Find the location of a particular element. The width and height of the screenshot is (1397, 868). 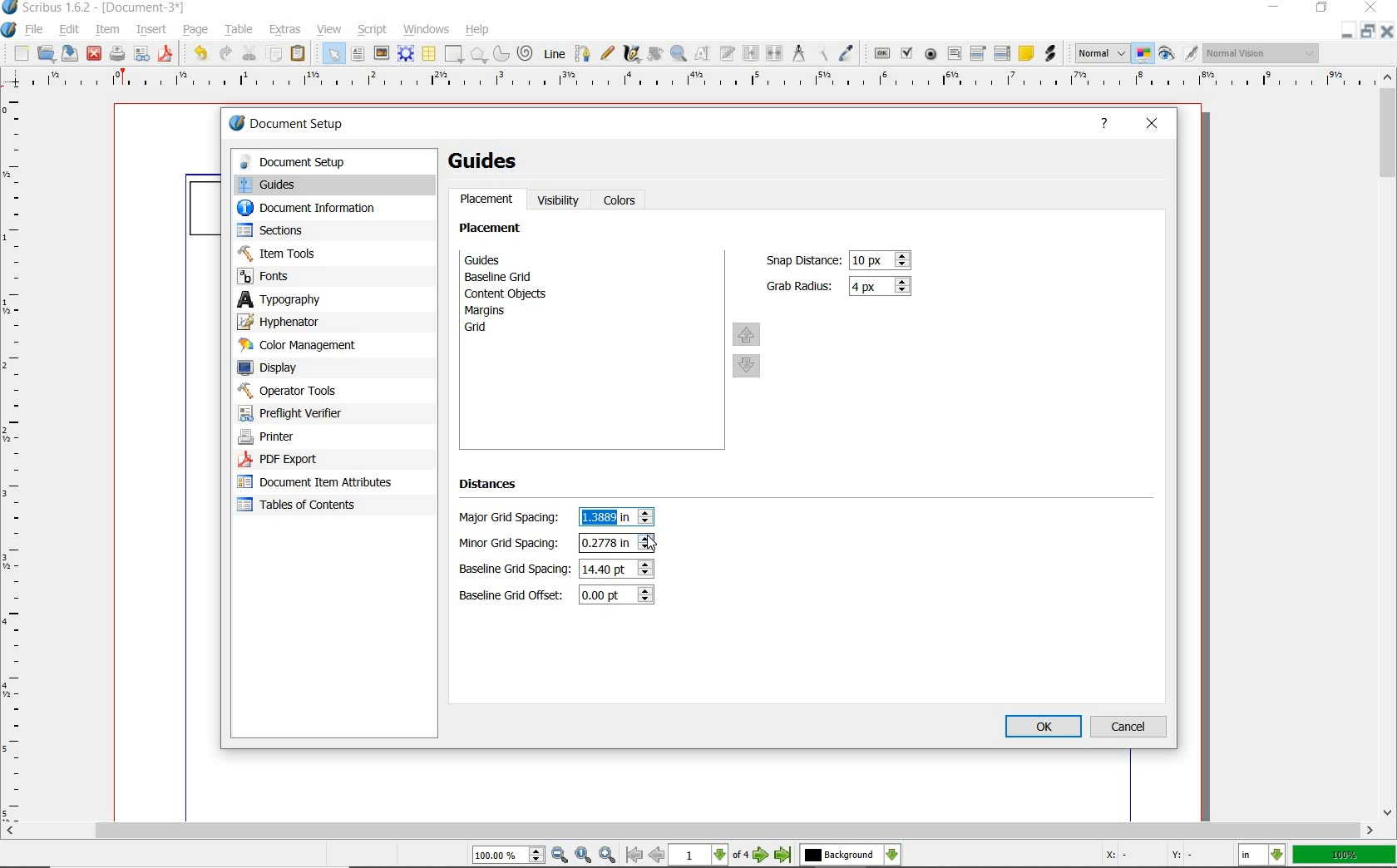

Baseline Grid Spacing is located at coordinates (616, 567).